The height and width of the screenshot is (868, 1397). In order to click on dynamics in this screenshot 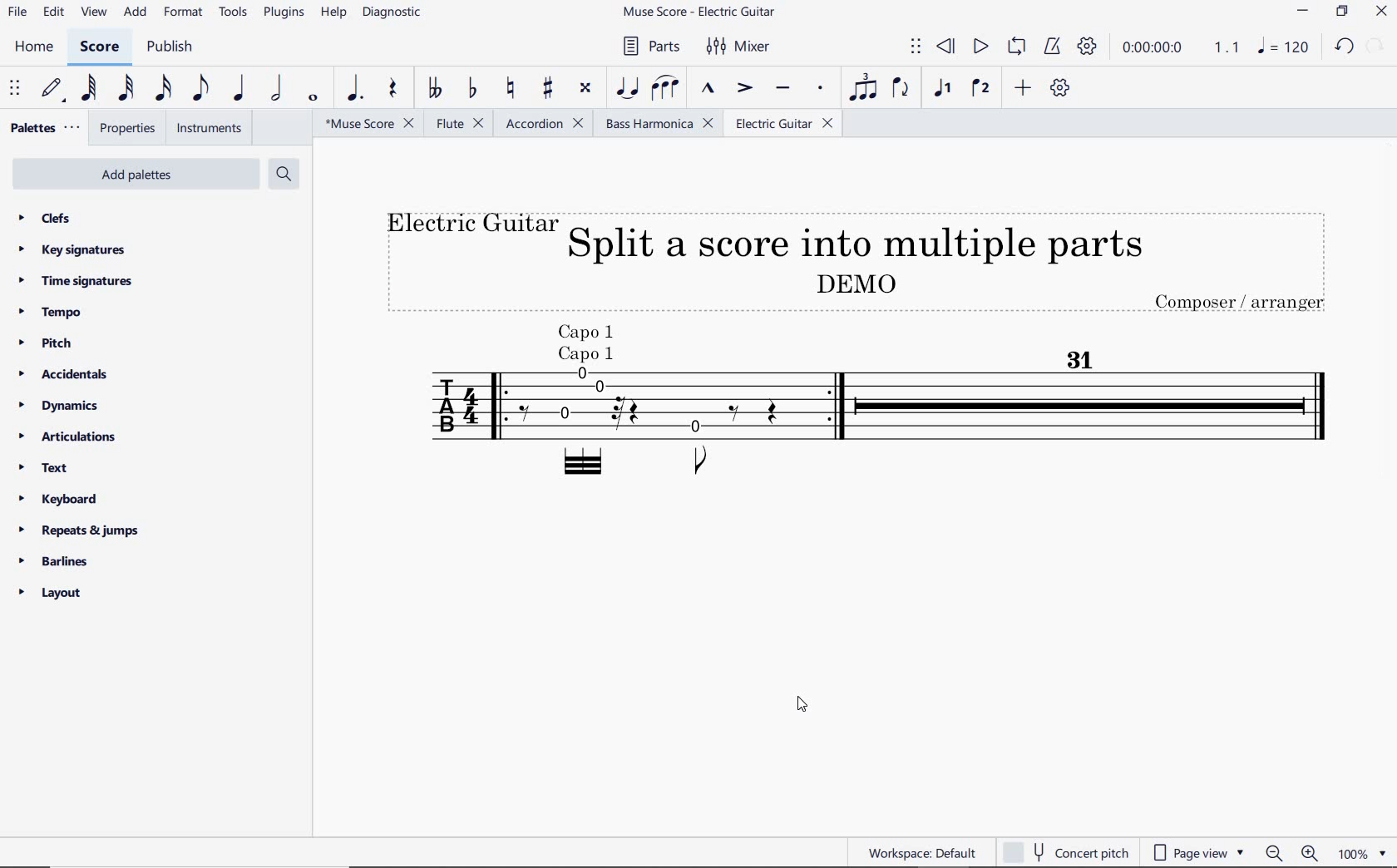, I will do `click(57, 406)`.